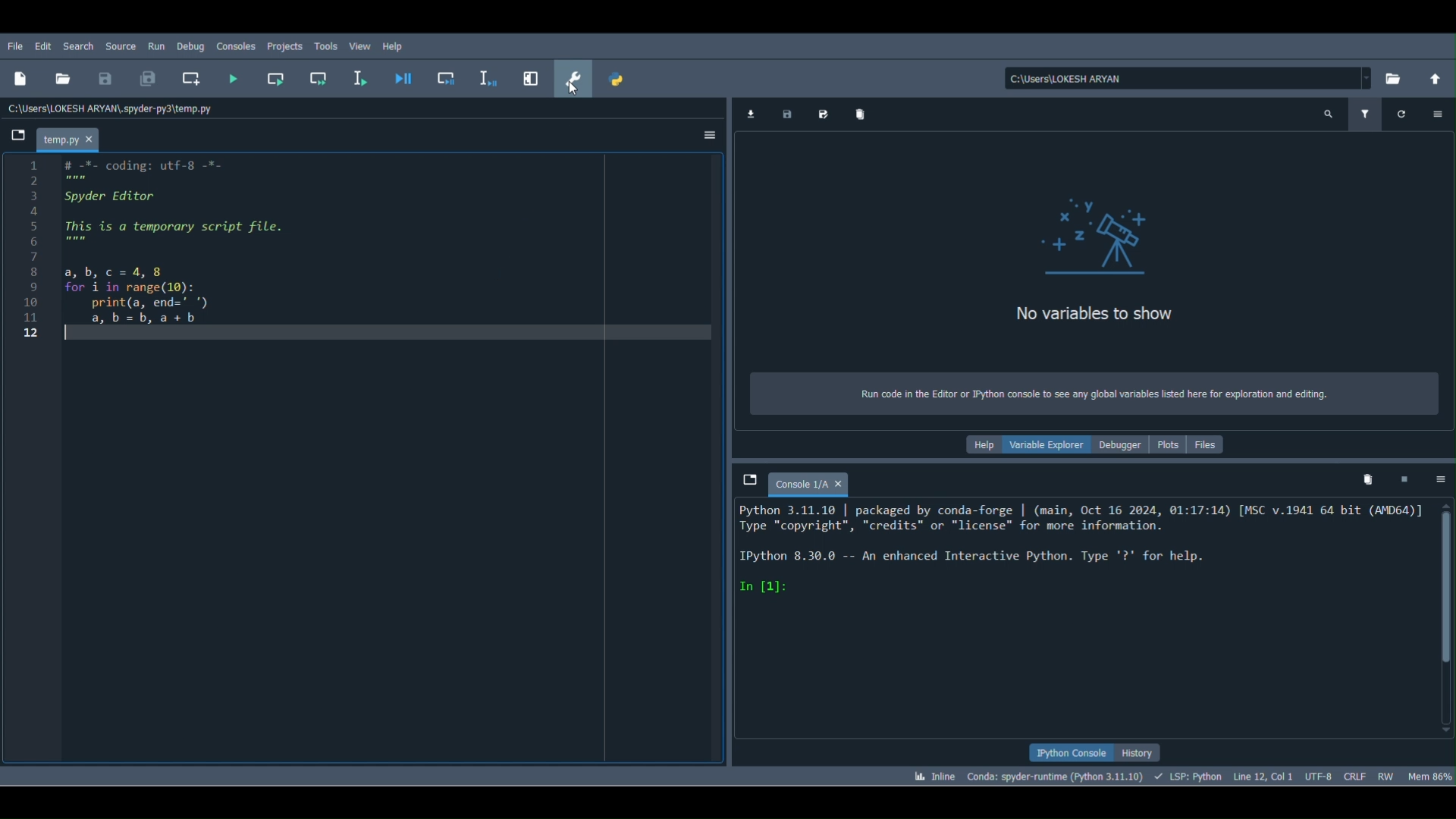 Image resolution: width=1456 pixels, height=819 pixels. What do you see at coordinates (1211, 445) in the screenshot?
I see `Files` at bounding box center [1211, 445].